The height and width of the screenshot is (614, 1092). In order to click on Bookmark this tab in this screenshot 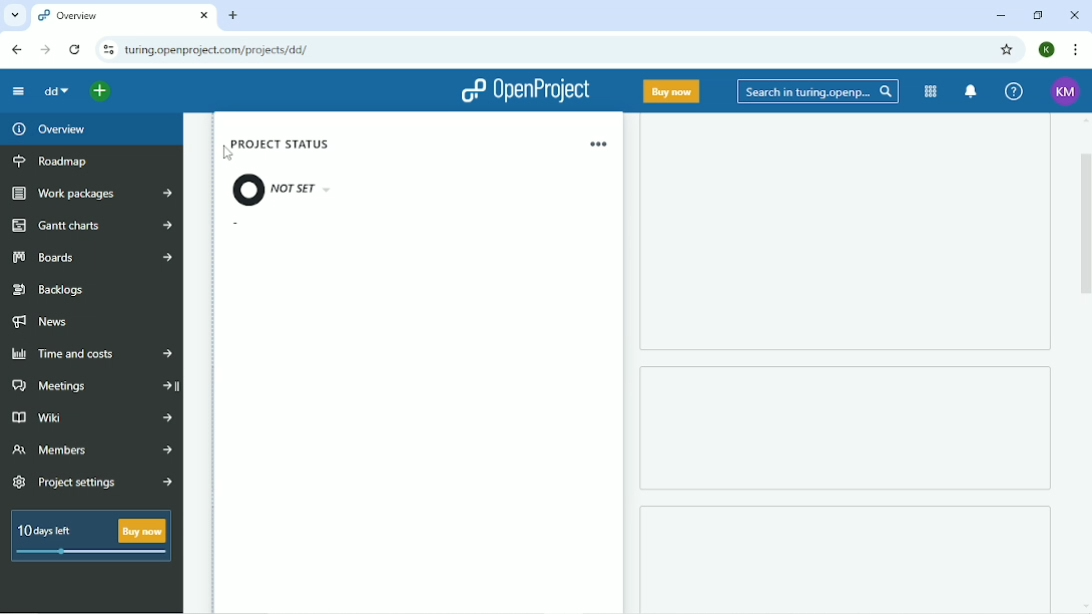, I will do `click(1008, 50)`.